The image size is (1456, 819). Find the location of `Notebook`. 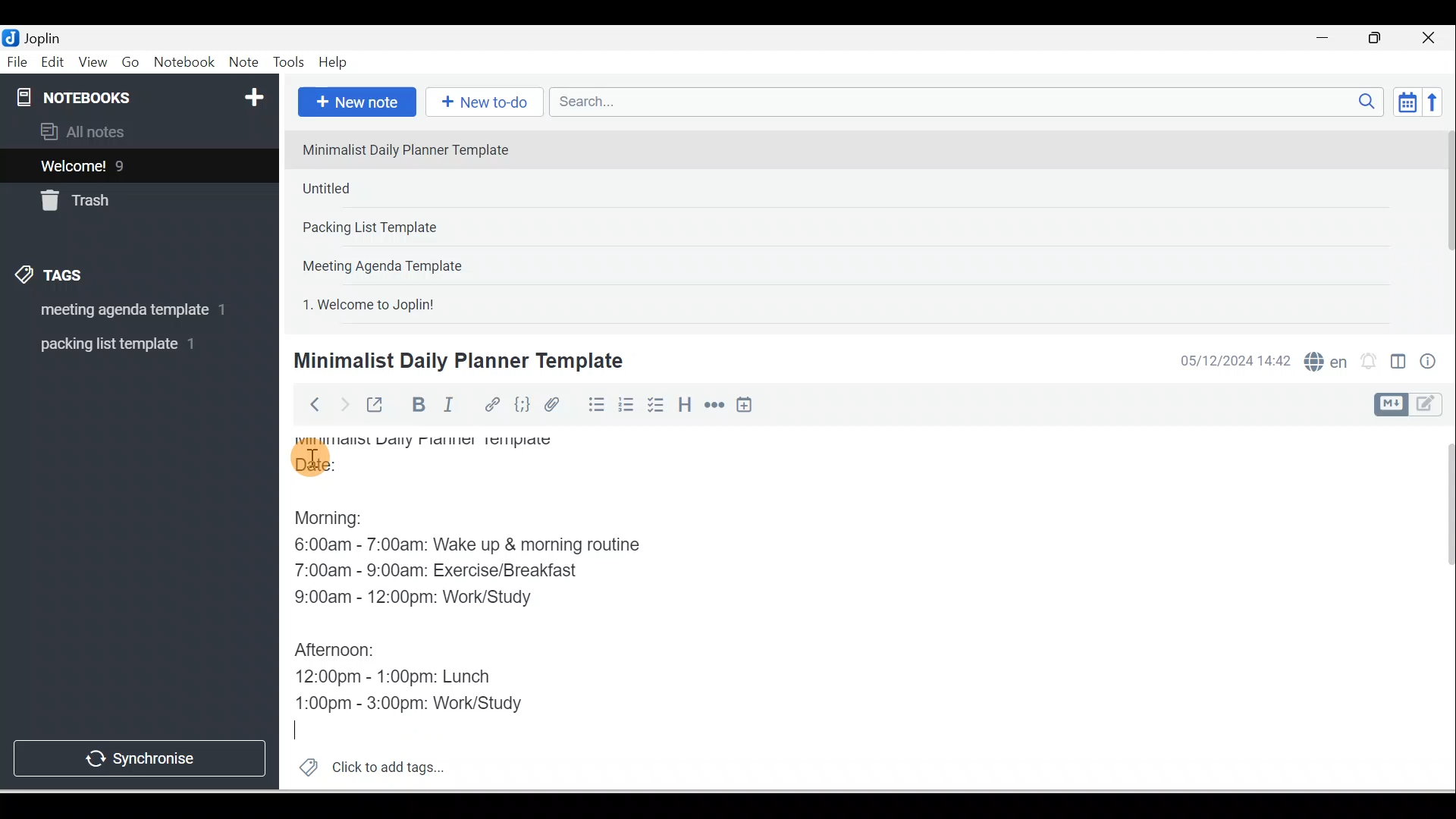

Notebook is located at coordinates (184, 63).